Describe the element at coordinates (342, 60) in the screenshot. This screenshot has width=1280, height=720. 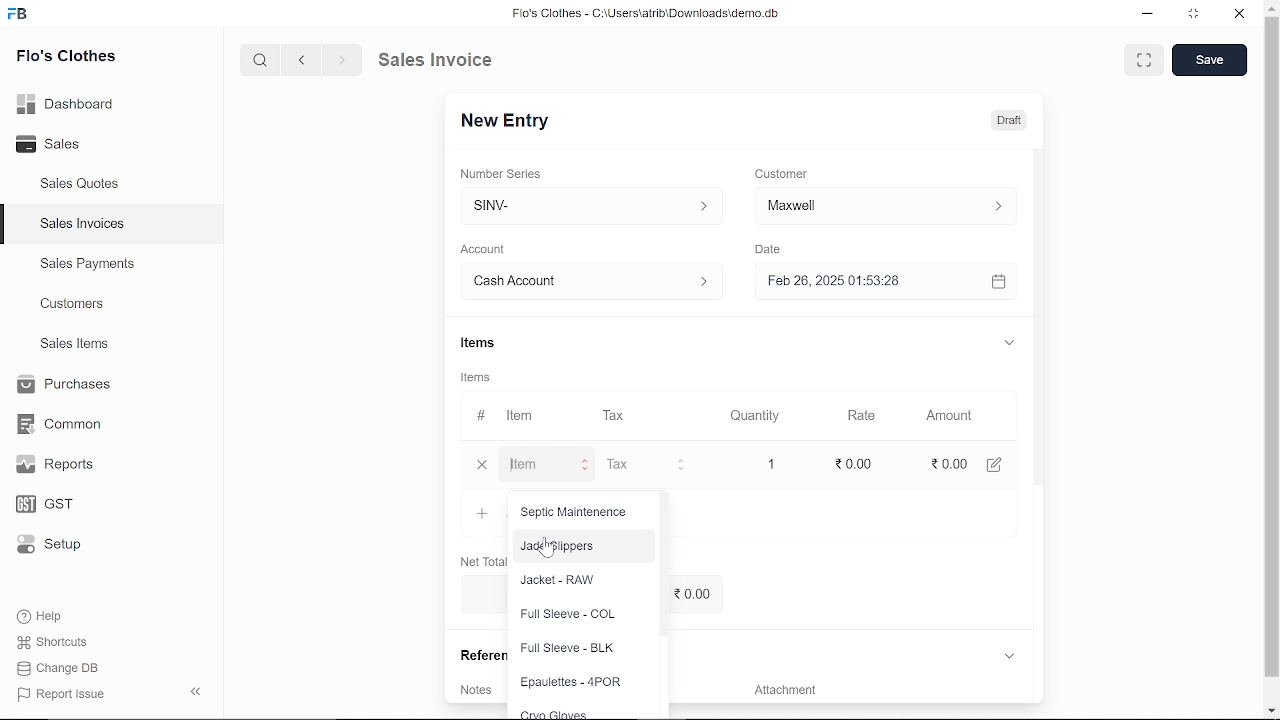
I see `next` at that location.